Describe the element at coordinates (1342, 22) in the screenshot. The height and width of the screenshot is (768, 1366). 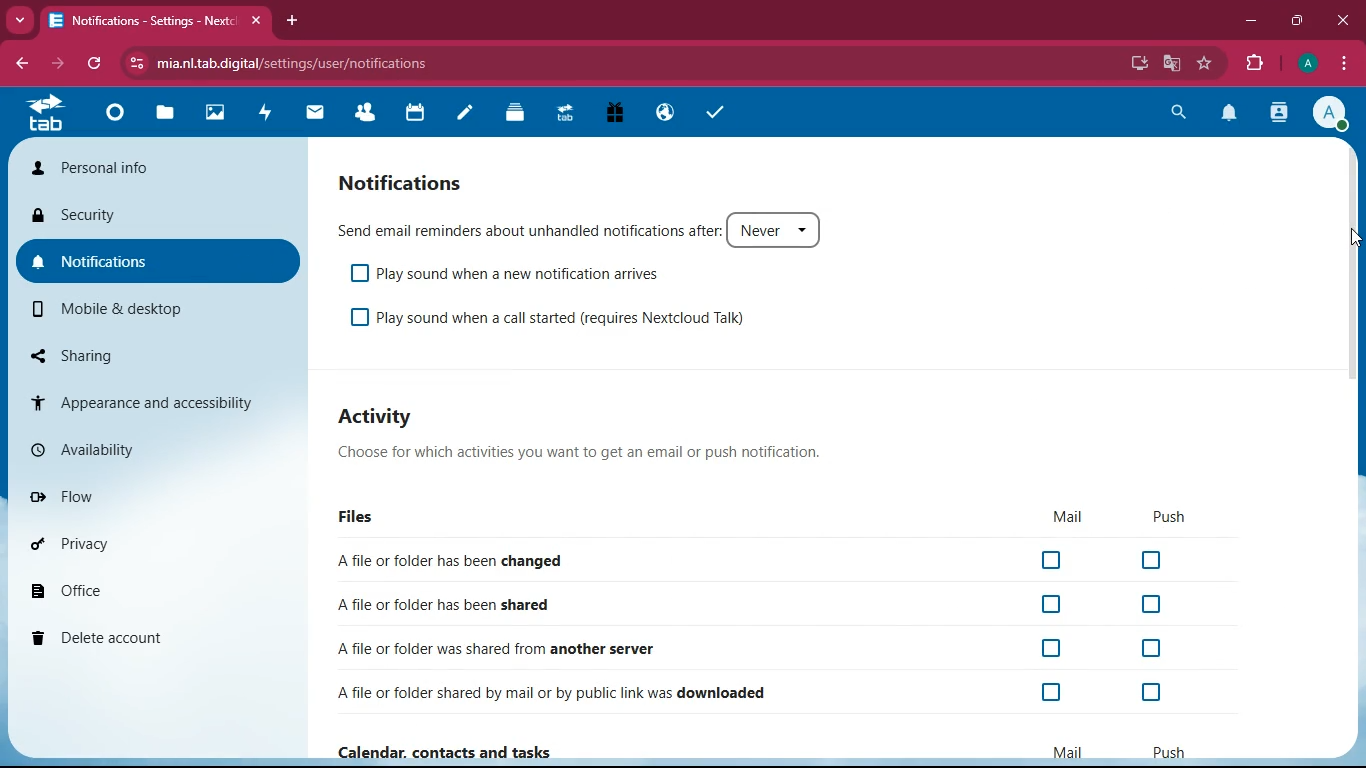
I see `close` at that location.